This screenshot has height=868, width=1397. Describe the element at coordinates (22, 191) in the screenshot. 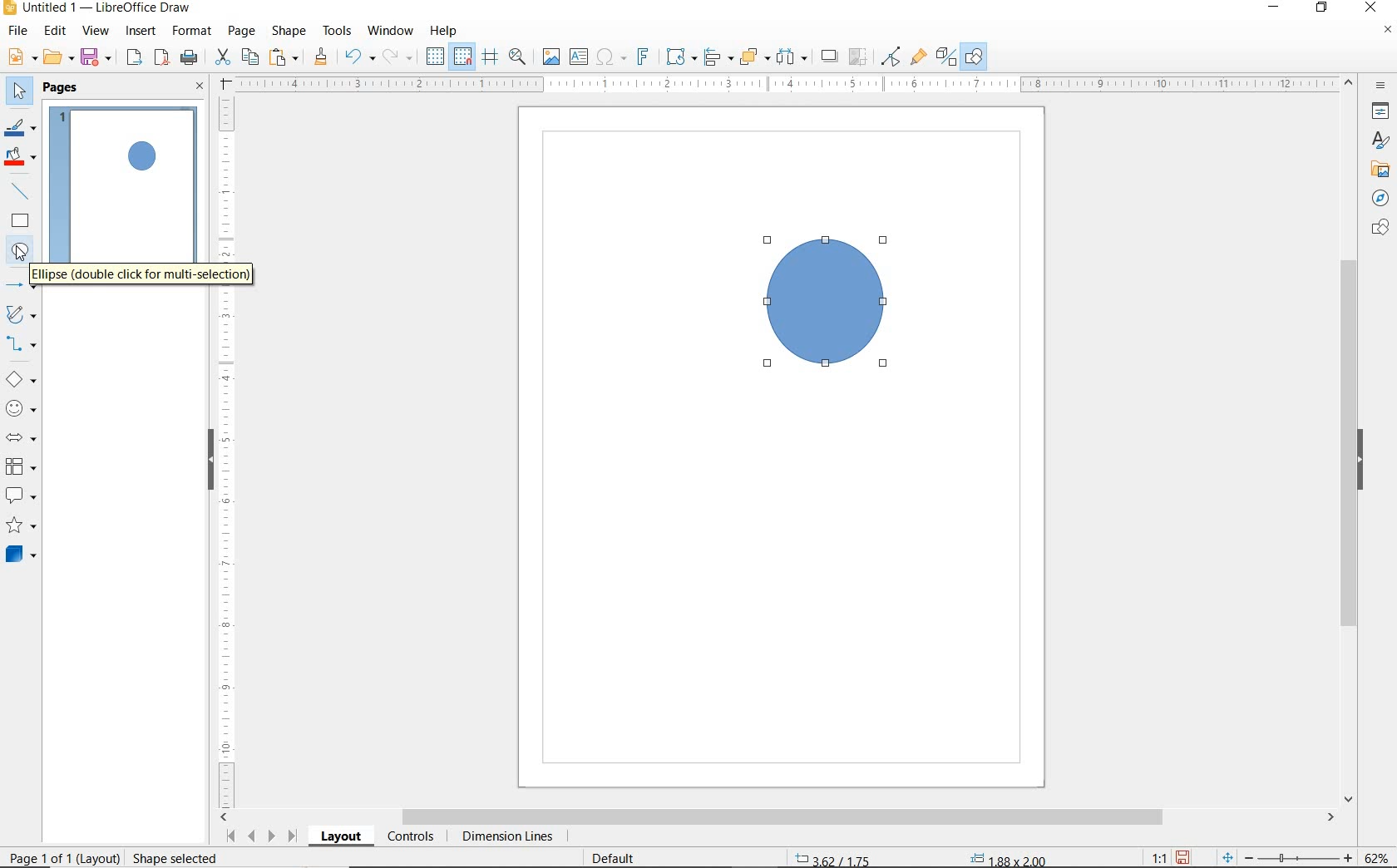

I see `INSERT LINE` at that location.